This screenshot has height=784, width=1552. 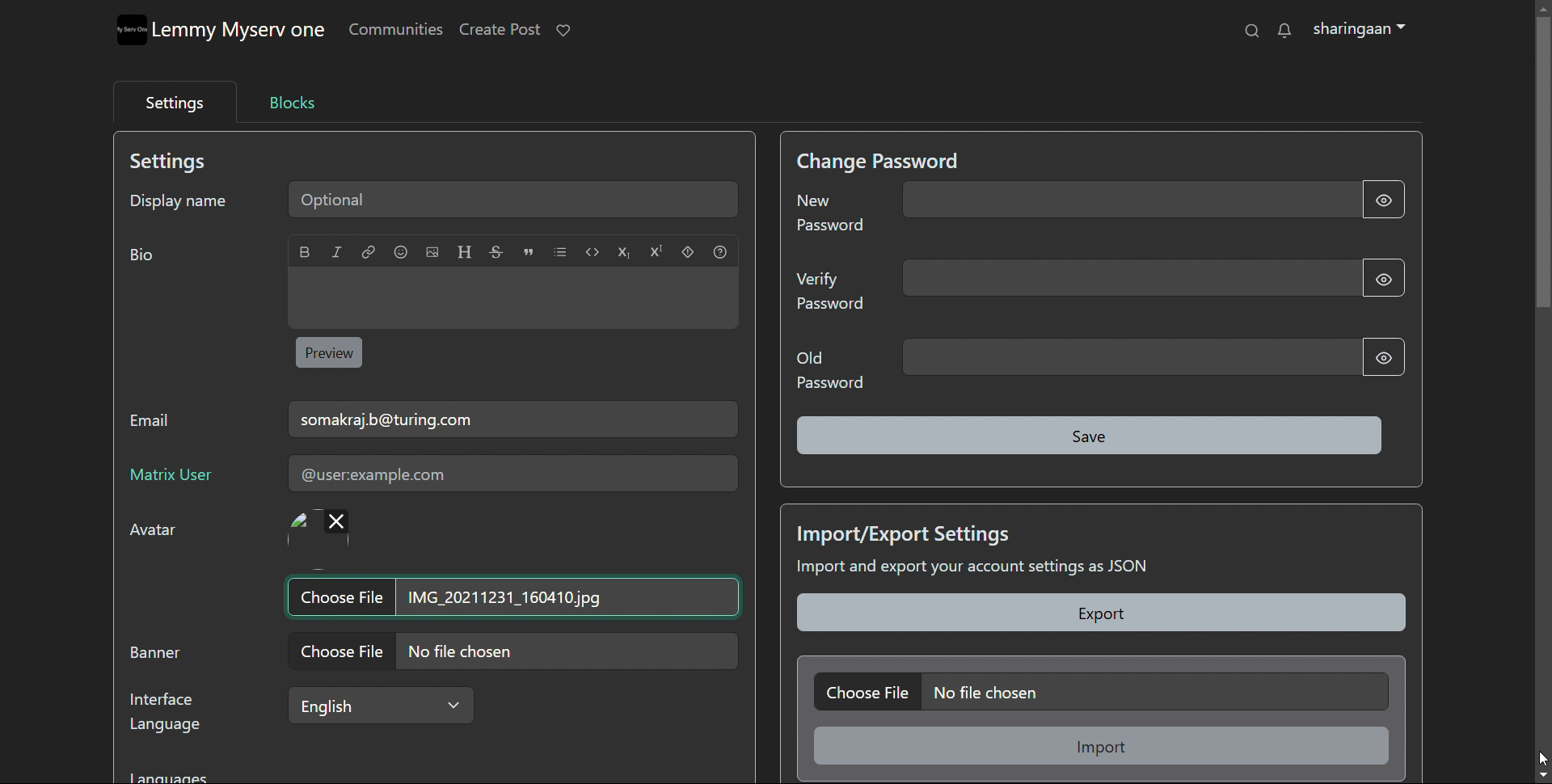 What do you see at coordinates (830, 295) in the screenshot?
I see `Verify Password` at bounding box center [830, 295].